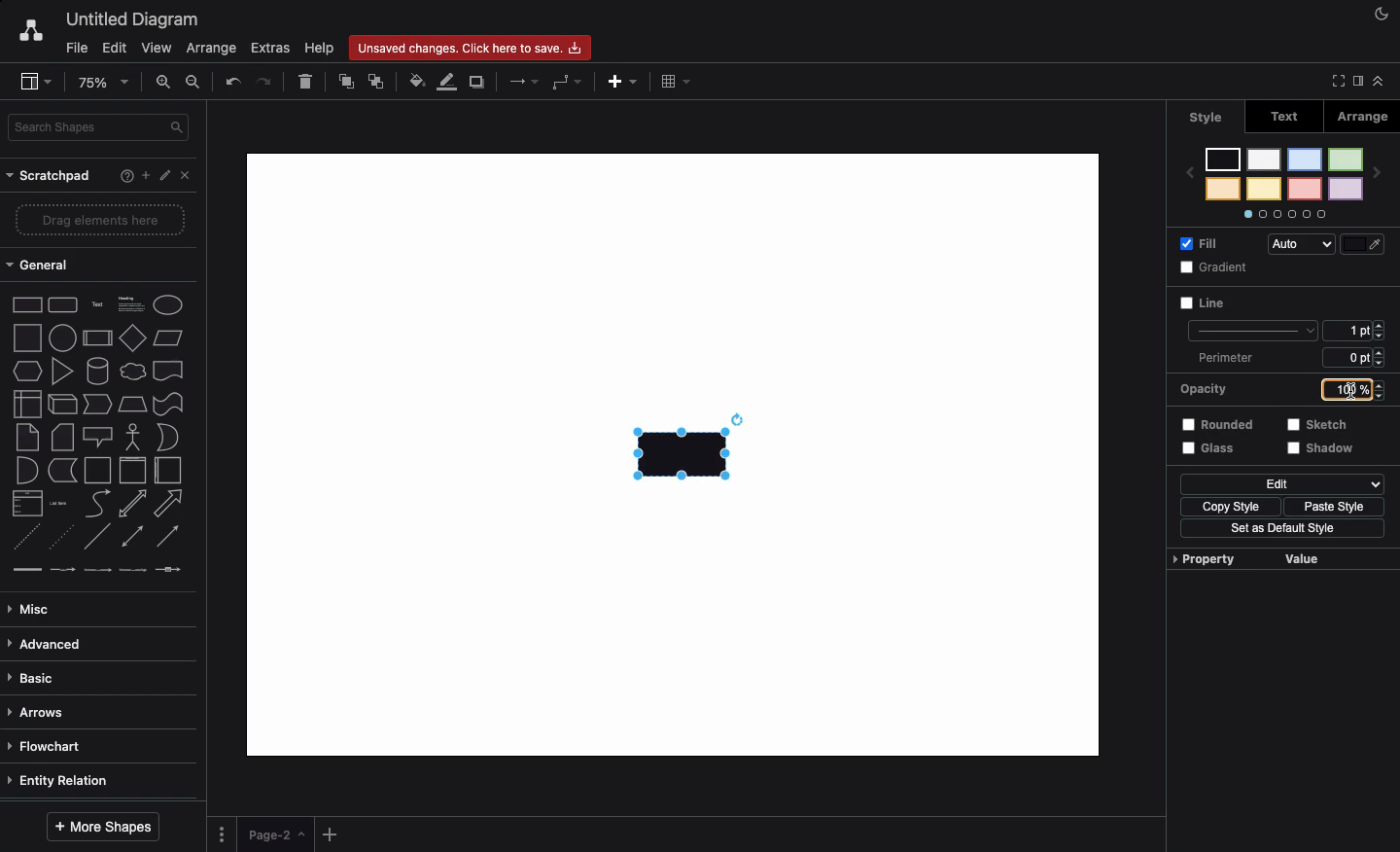 The image size is (1400, 852). I want to click on 100%, so click(1355, 391).